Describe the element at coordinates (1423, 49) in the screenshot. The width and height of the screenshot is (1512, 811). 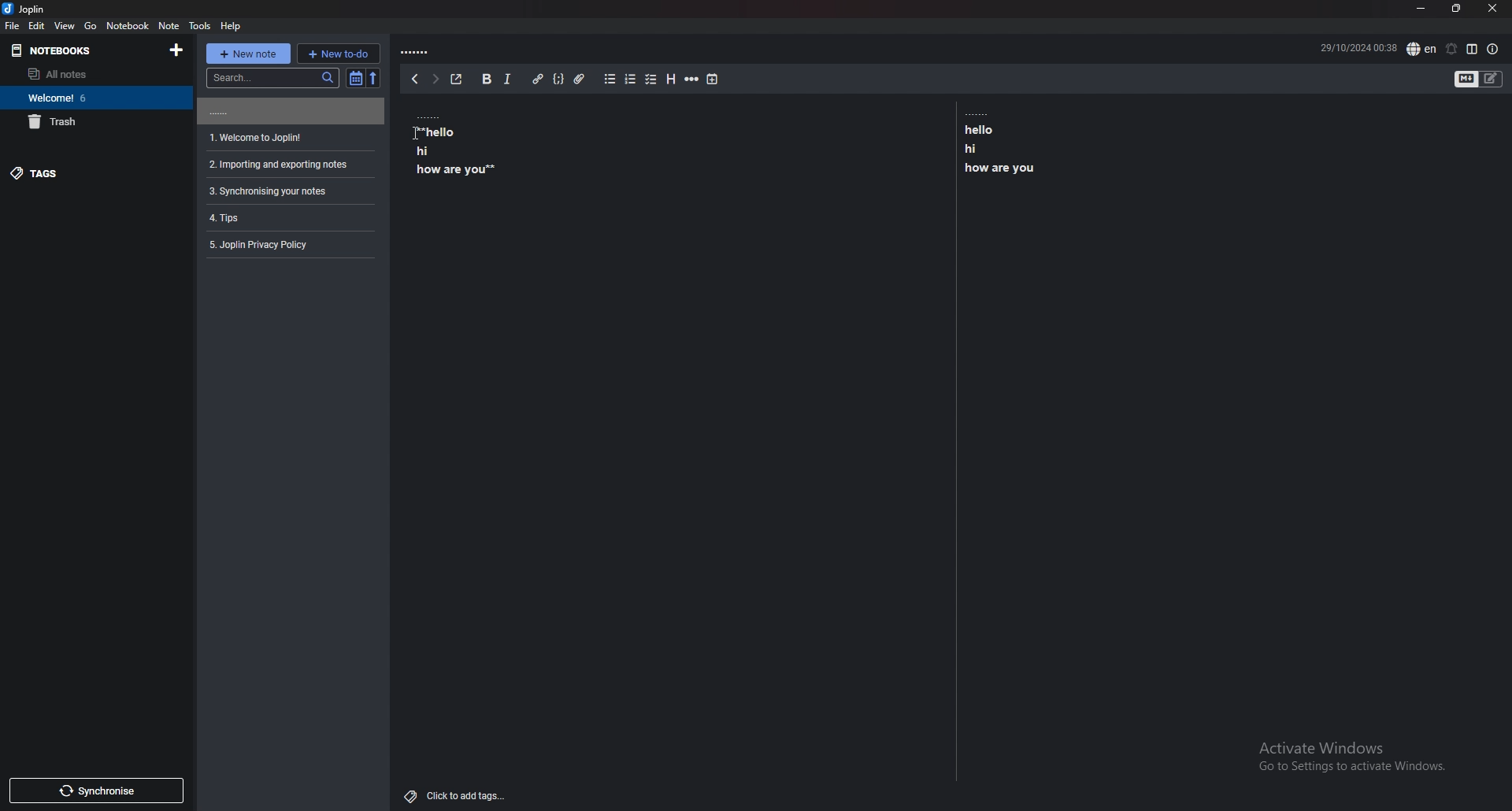
I see `spell check` at that location.